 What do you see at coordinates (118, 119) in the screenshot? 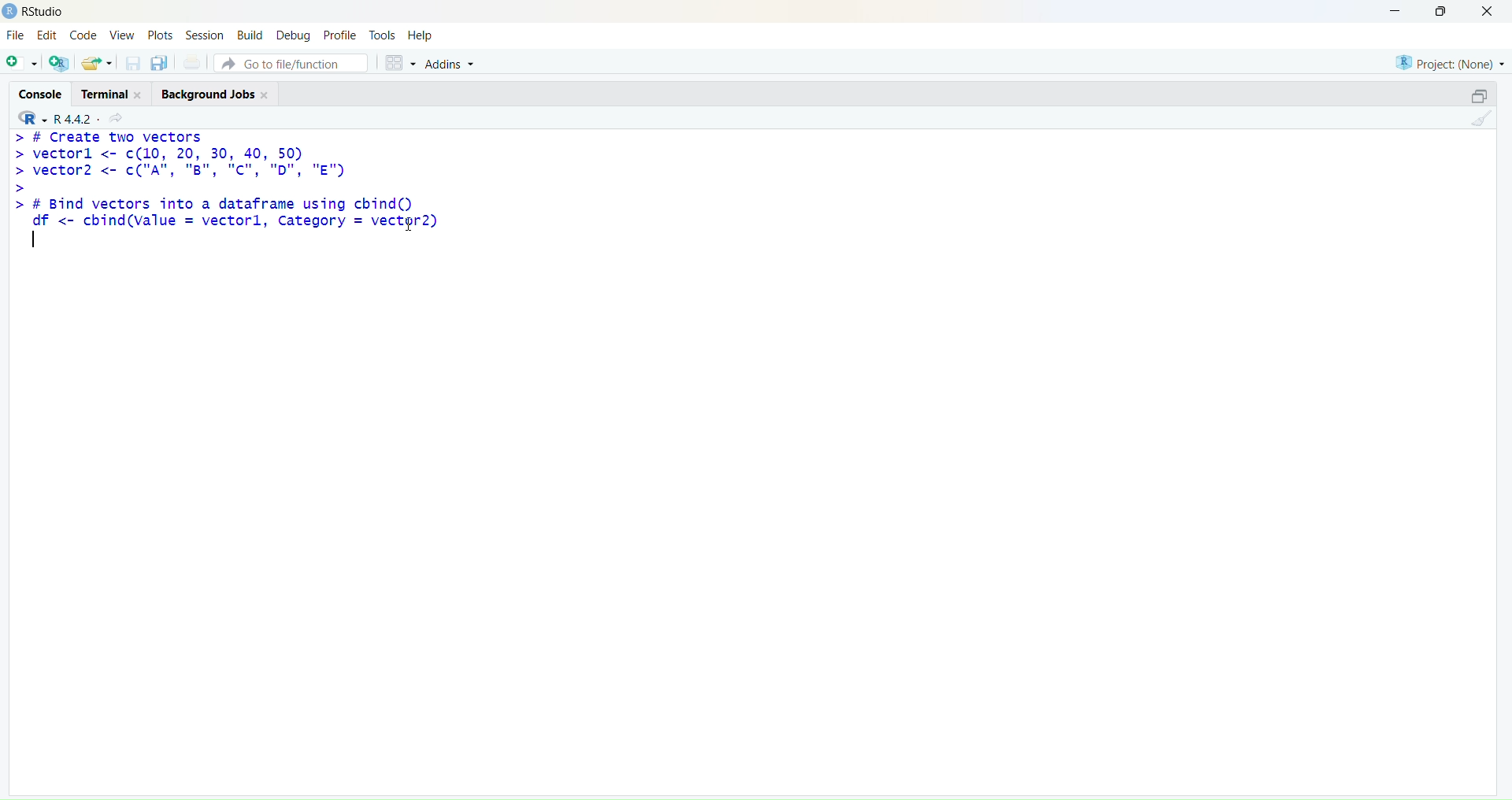
I see `View current directory` at bounding box center [118, 119].